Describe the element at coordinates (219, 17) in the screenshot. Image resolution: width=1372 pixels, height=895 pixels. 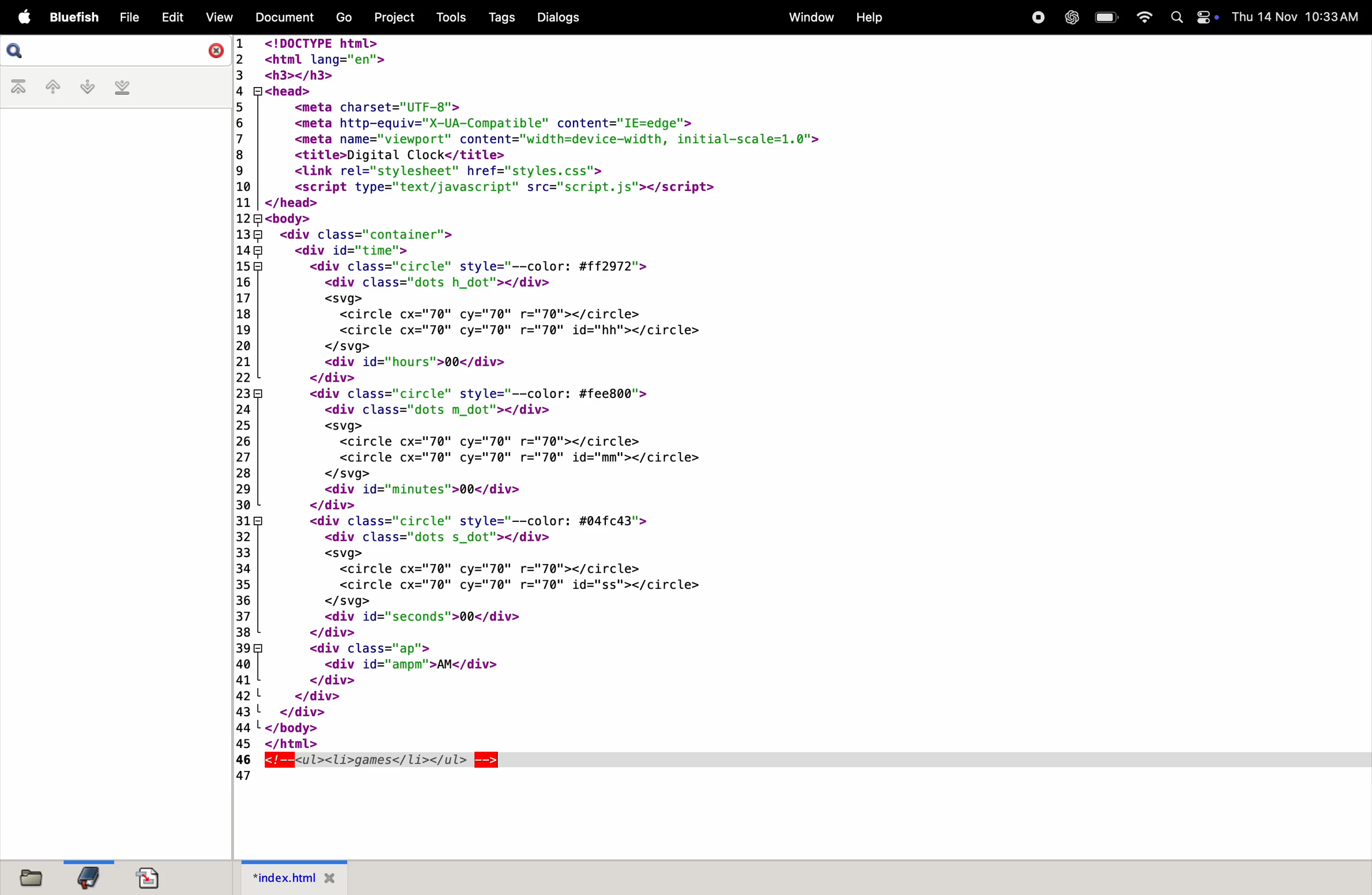
I see `View` at that location.